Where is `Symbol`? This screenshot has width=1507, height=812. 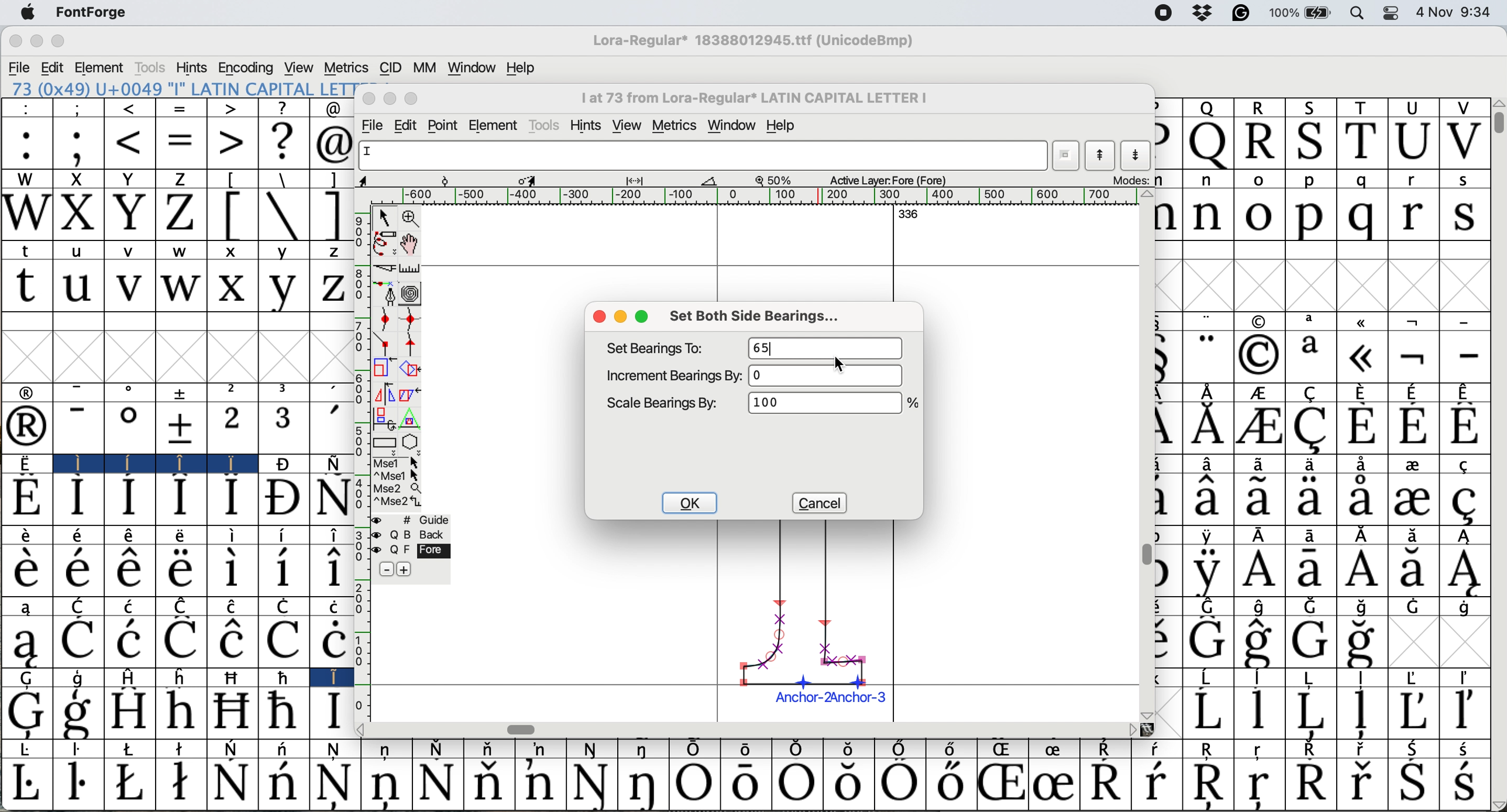 Symbol is located at coordinates (23, 569).